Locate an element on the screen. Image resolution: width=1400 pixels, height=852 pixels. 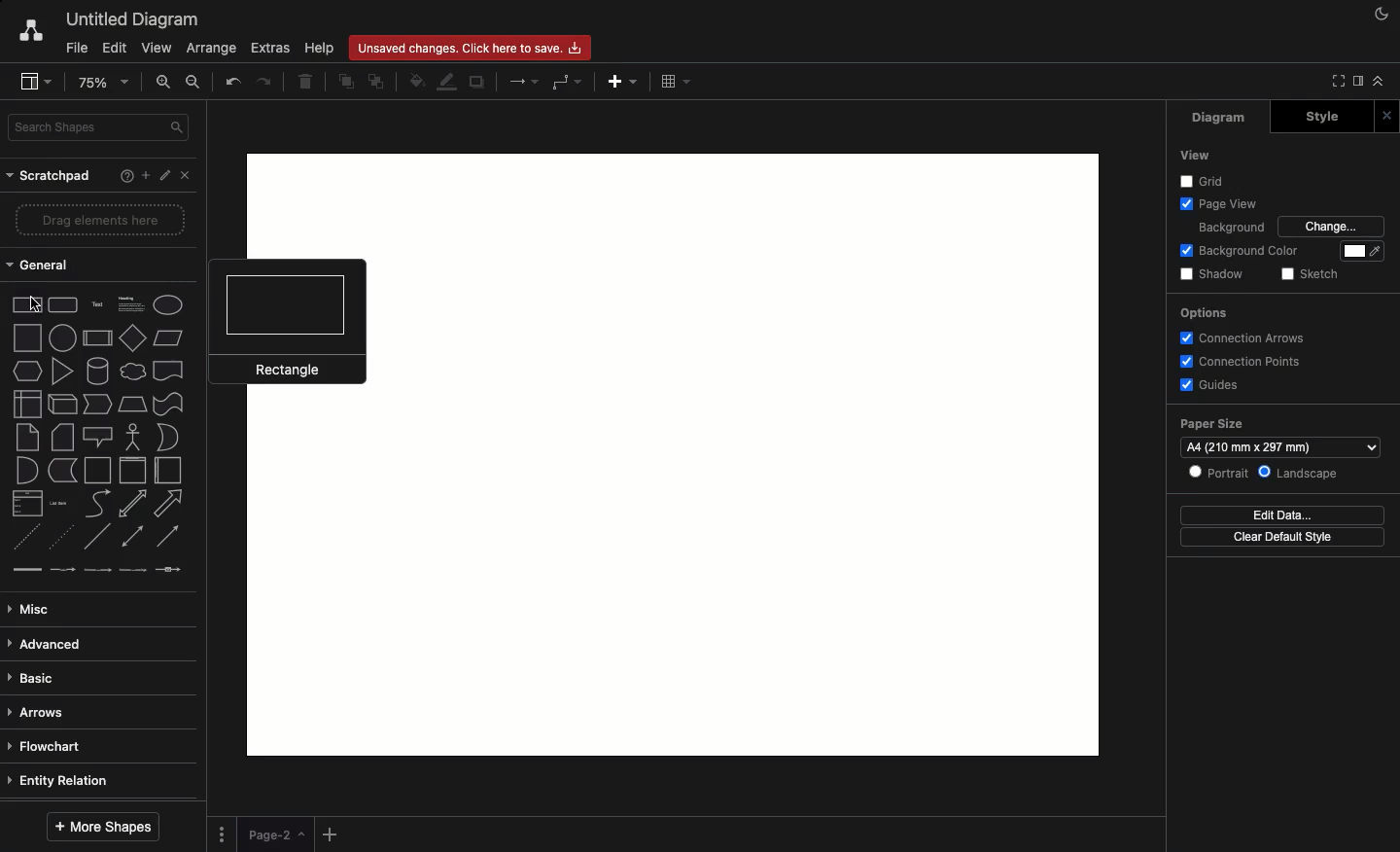
trapezoid is located at coordinates (129, 406).